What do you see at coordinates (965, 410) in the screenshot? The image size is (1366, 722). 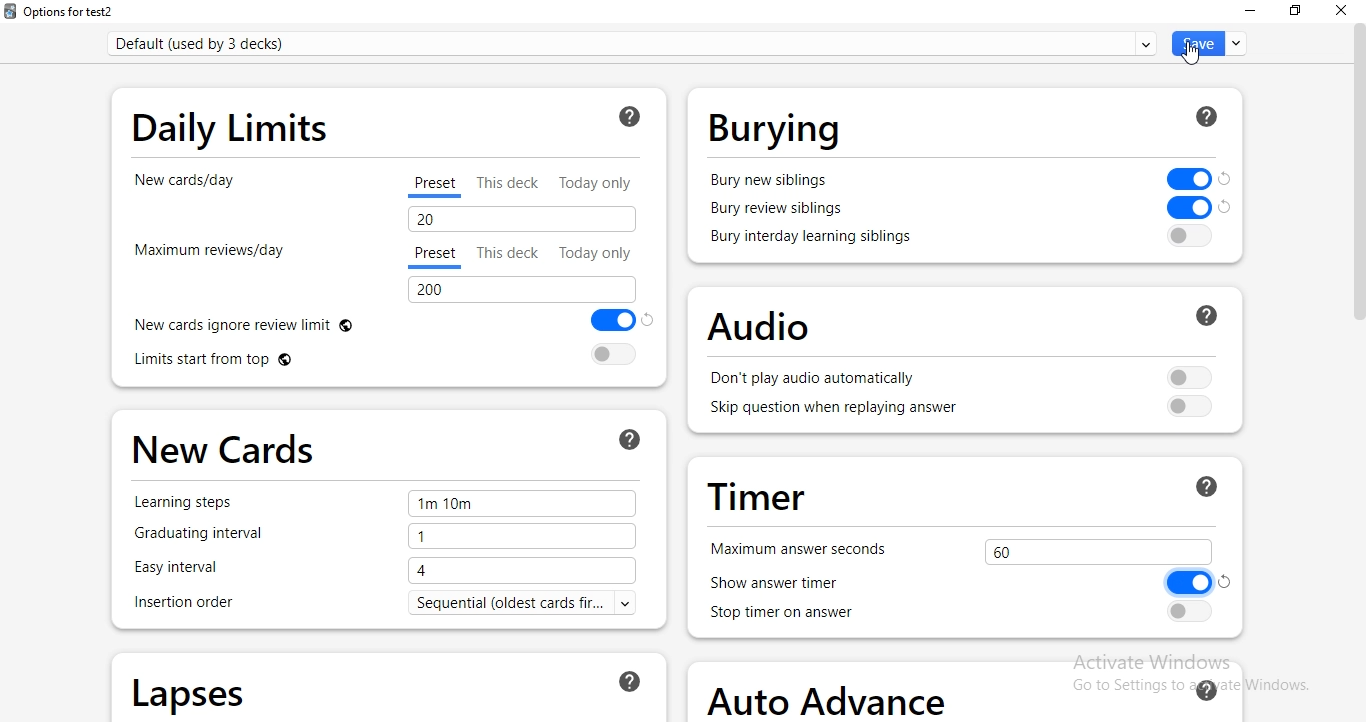 I see `skip question when replaying answer` at bounding box center [965, 410].